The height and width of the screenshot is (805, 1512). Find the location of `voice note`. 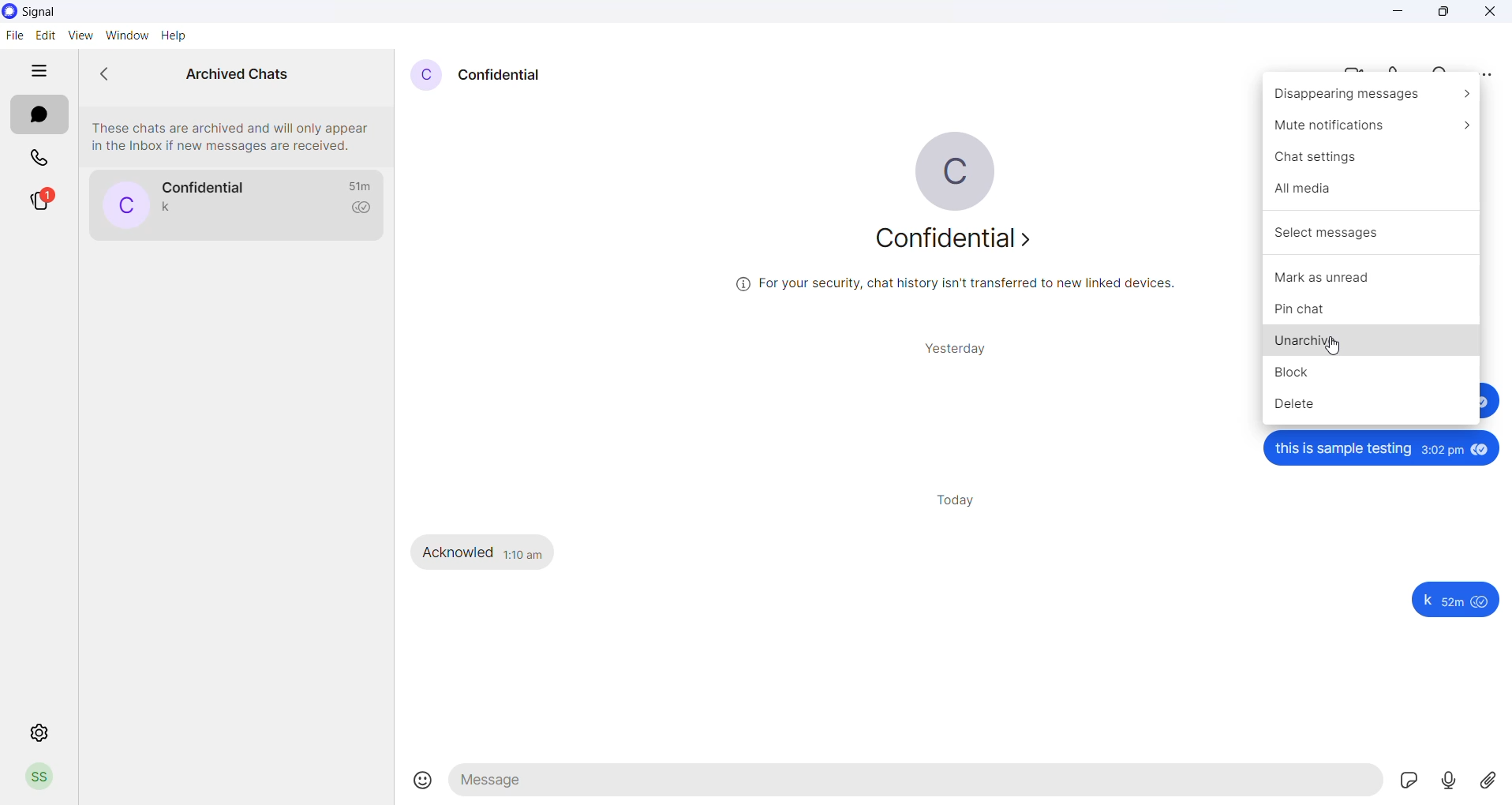

voice note is located at coordinates (1448, 781).